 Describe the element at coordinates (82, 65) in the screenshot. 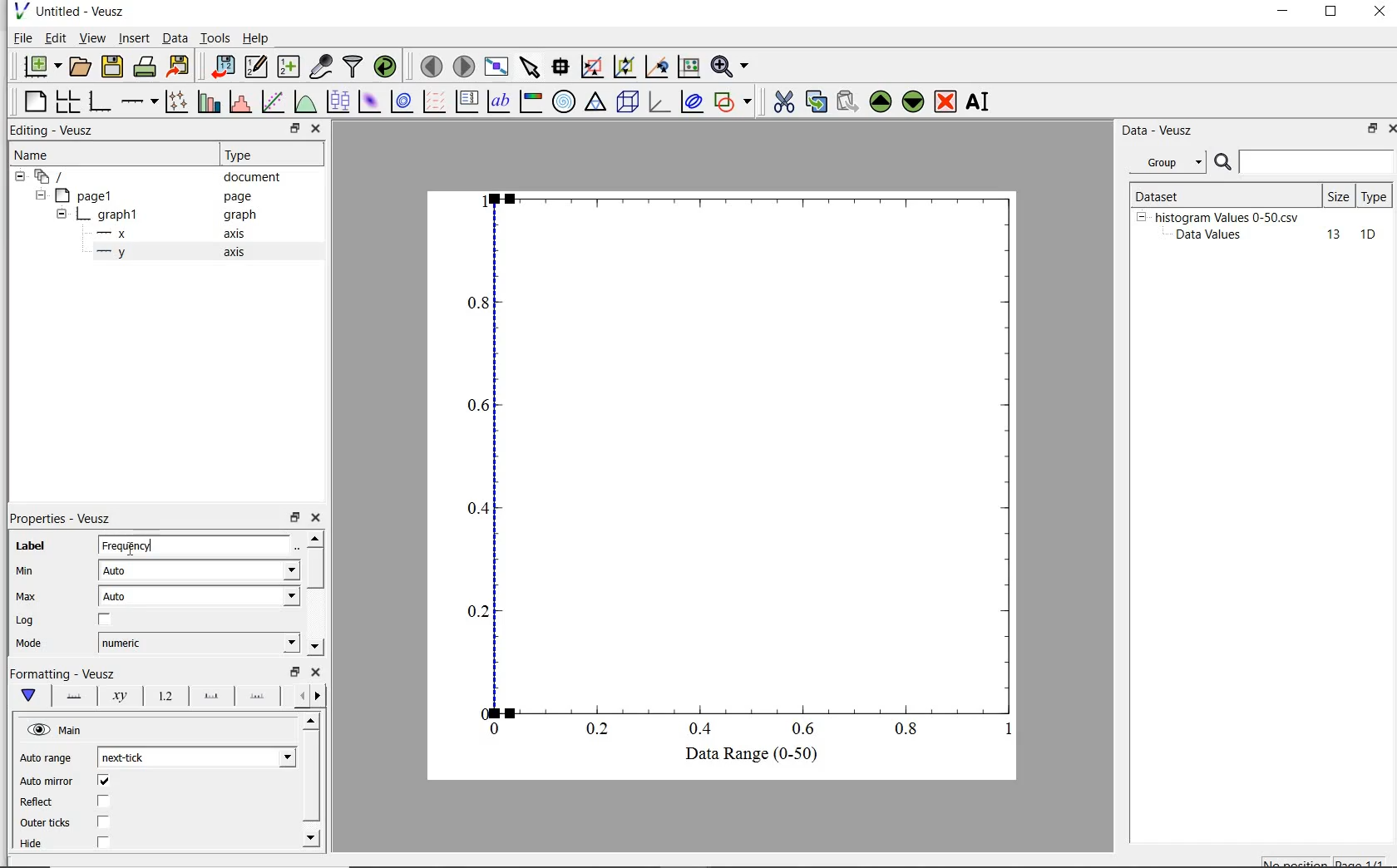

I see `open` at that location.